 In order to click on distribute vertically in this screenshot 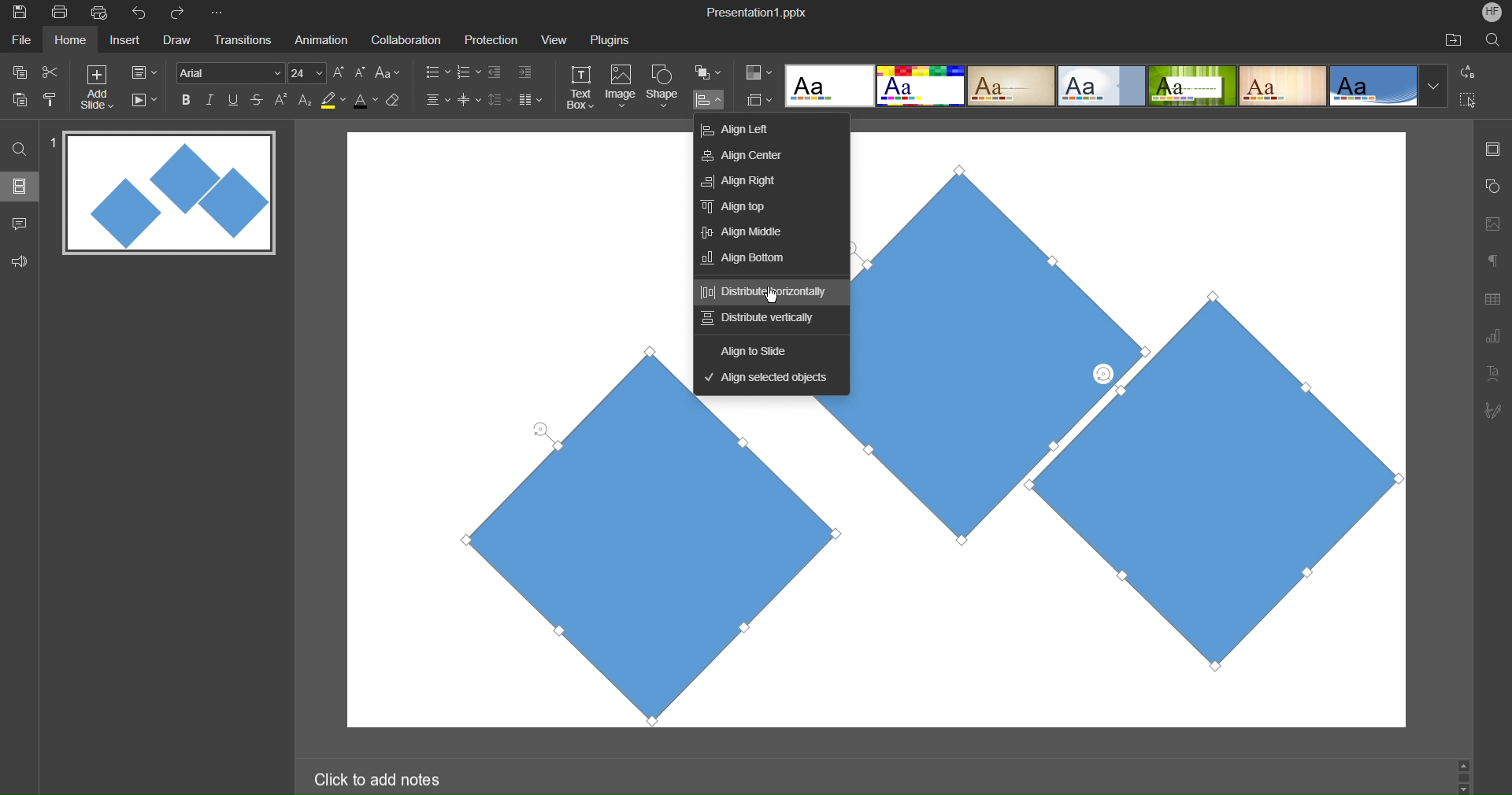, I will do `click(765, 317)`.